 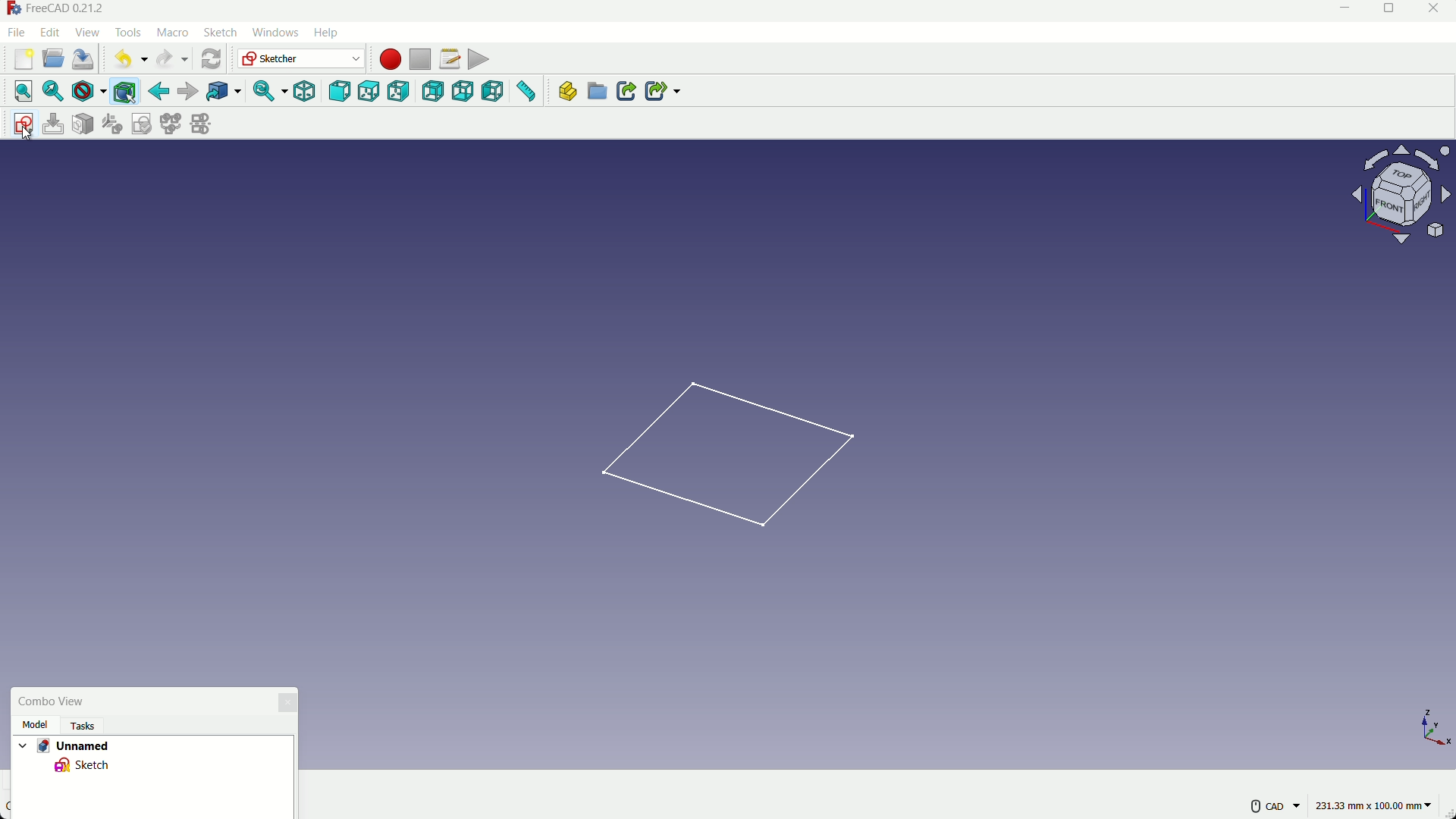 I want to click on back, so click(x=158, y=91).